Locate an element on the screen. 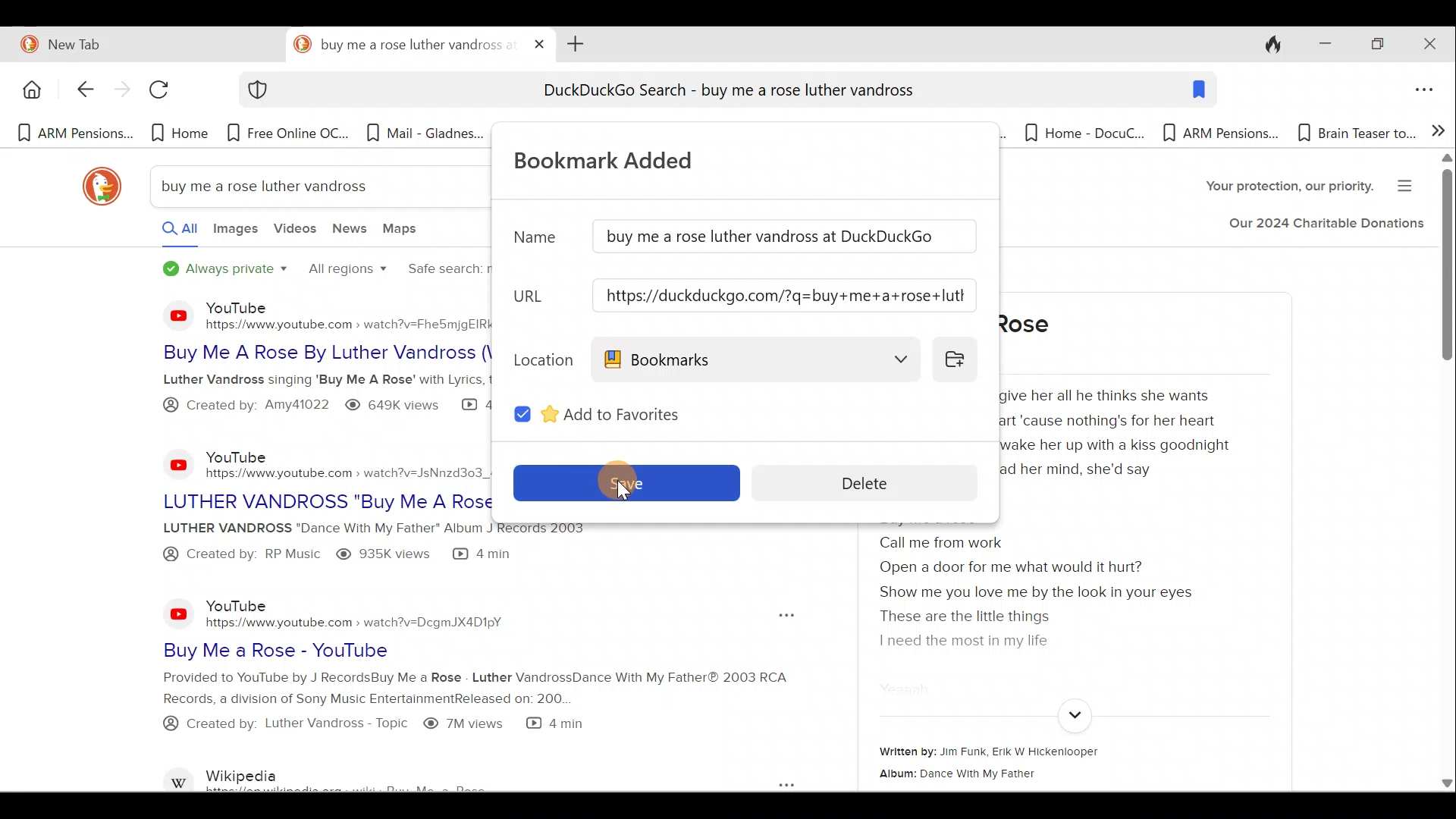 The height and width of the screenshot is (819, 1456). https://duckduckgo.com/?q=buy+me+a+rose+lutt is located at coordinates (786, 296).